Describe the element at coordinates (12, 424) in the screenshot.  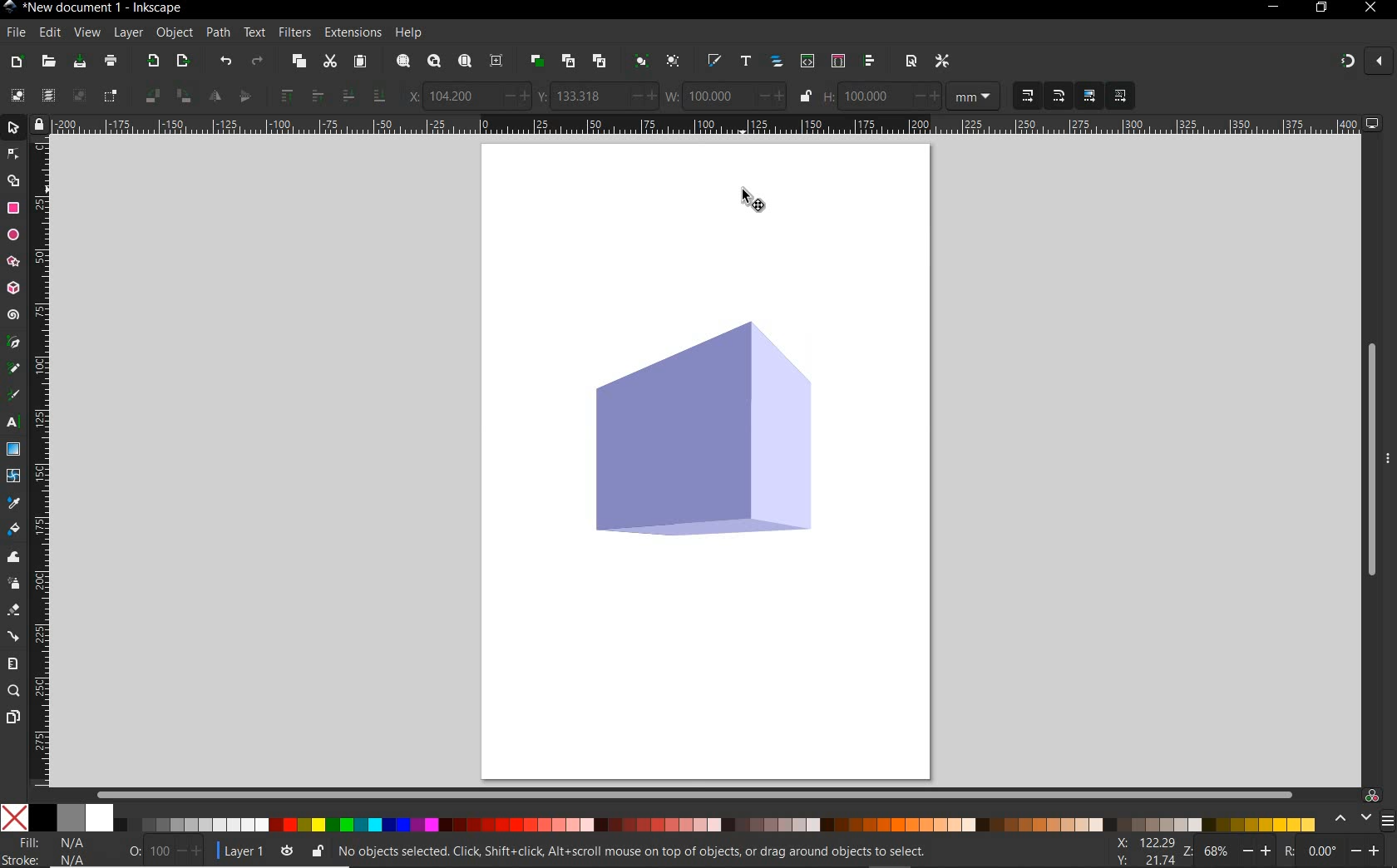
I see `text tool` at that location.